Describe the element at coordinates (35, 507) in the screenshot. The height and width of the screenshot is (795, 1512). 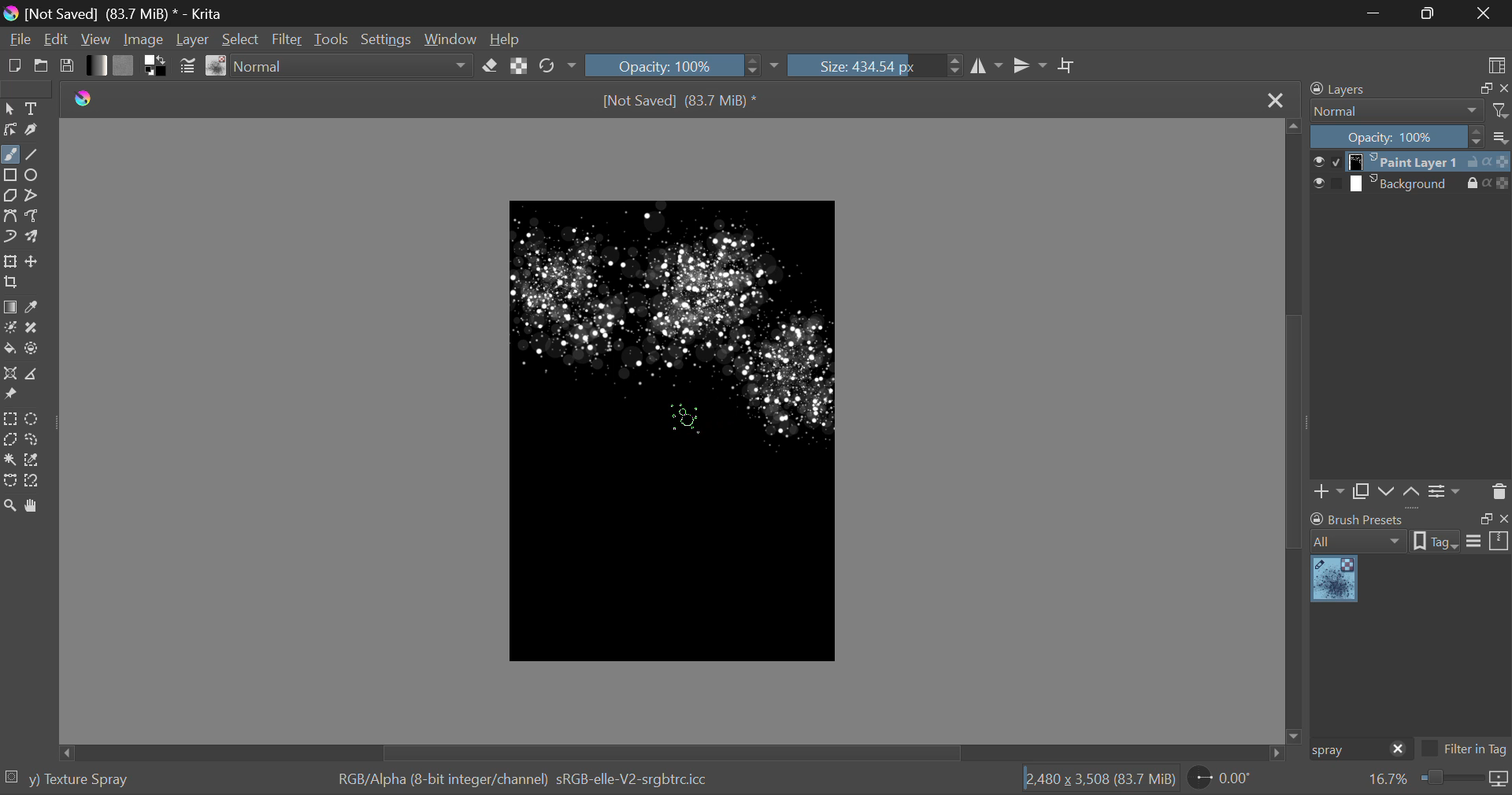
I see `Pan` at that location.